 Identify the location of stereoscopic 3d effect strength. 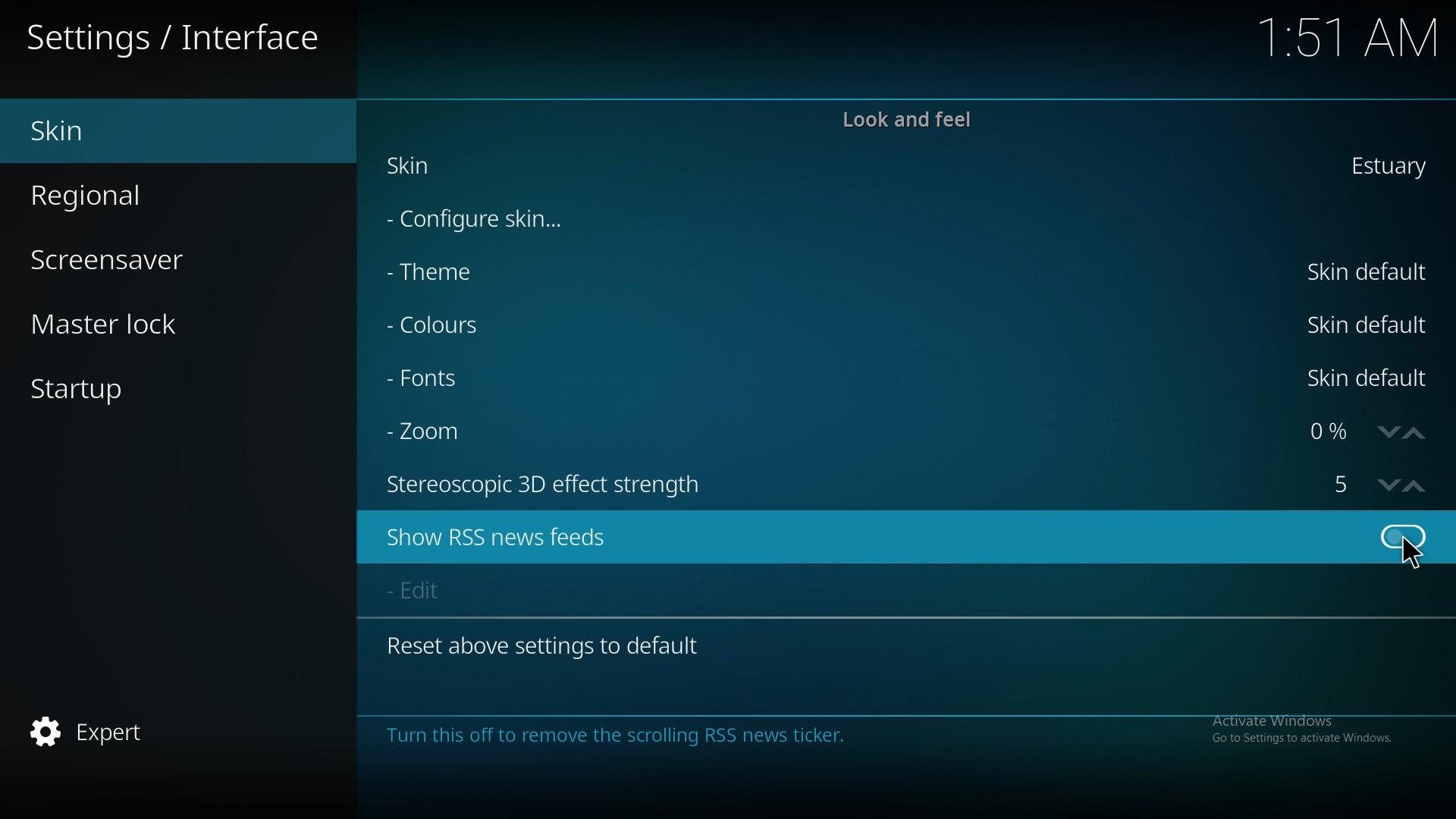
(1345, 485).